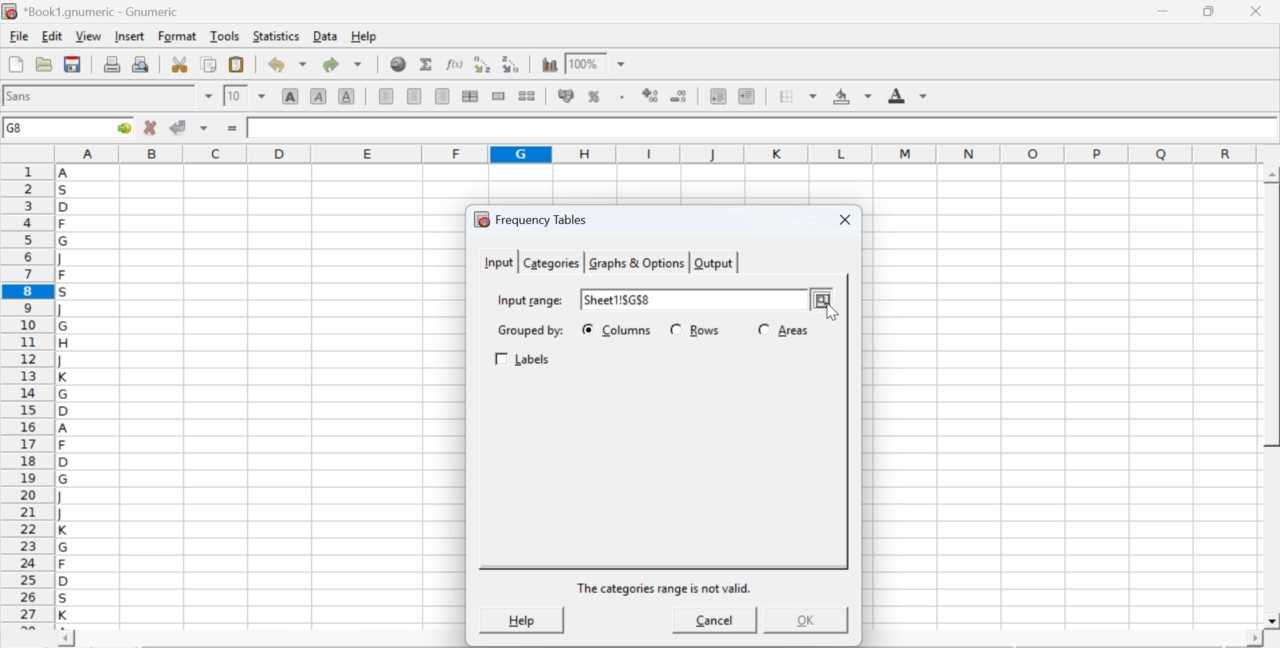 The image size is (1280, 648). What do you see at coordinates (803, 620) in the screenshot?
I see `OK` at bounding box center [803, 620].